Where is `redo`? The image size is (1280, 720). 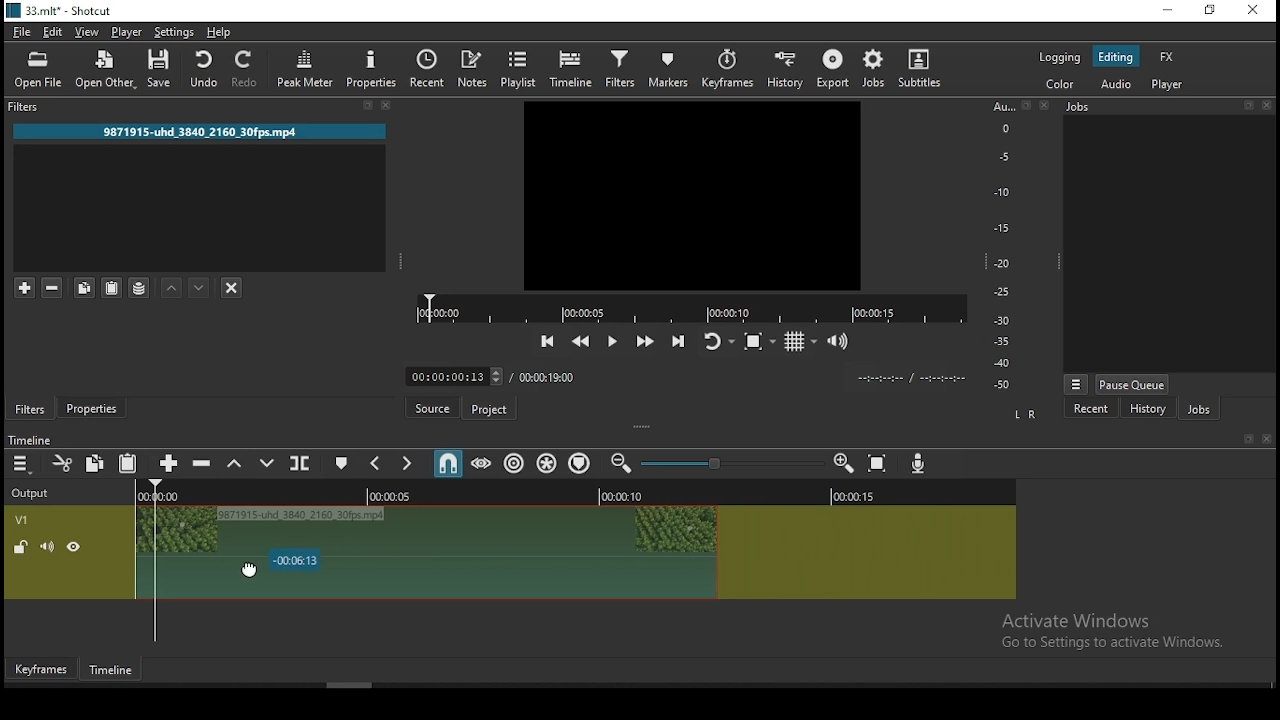
redo is located at coordinates (247, 72).